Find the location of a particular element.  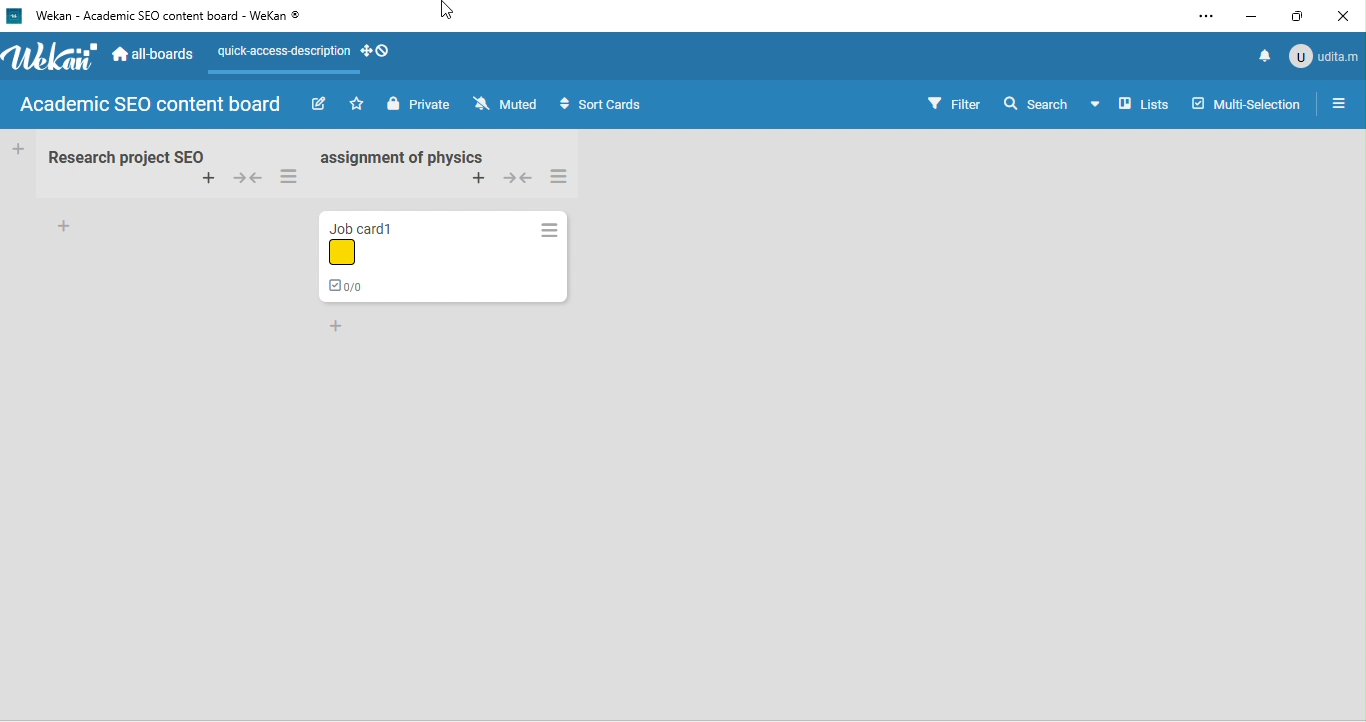

desktop grab handles is located at coordinates (377, 51).